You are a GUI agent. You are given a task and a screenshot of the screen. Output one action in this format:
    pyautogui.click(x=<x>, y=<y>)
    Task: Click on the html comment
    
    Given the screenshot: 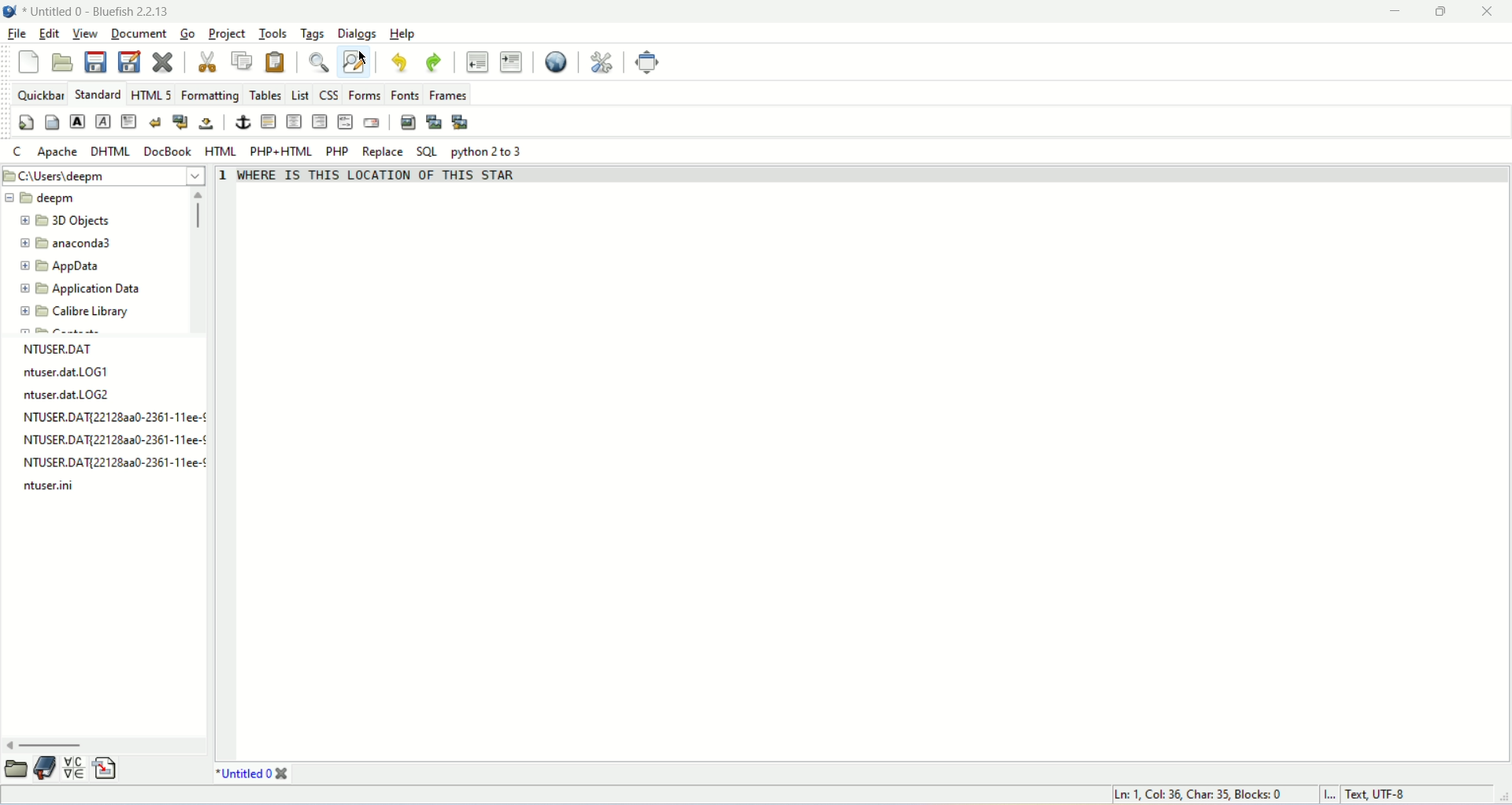 What is the action you would take?
    pyautogui.click(x=346, y=123)
    